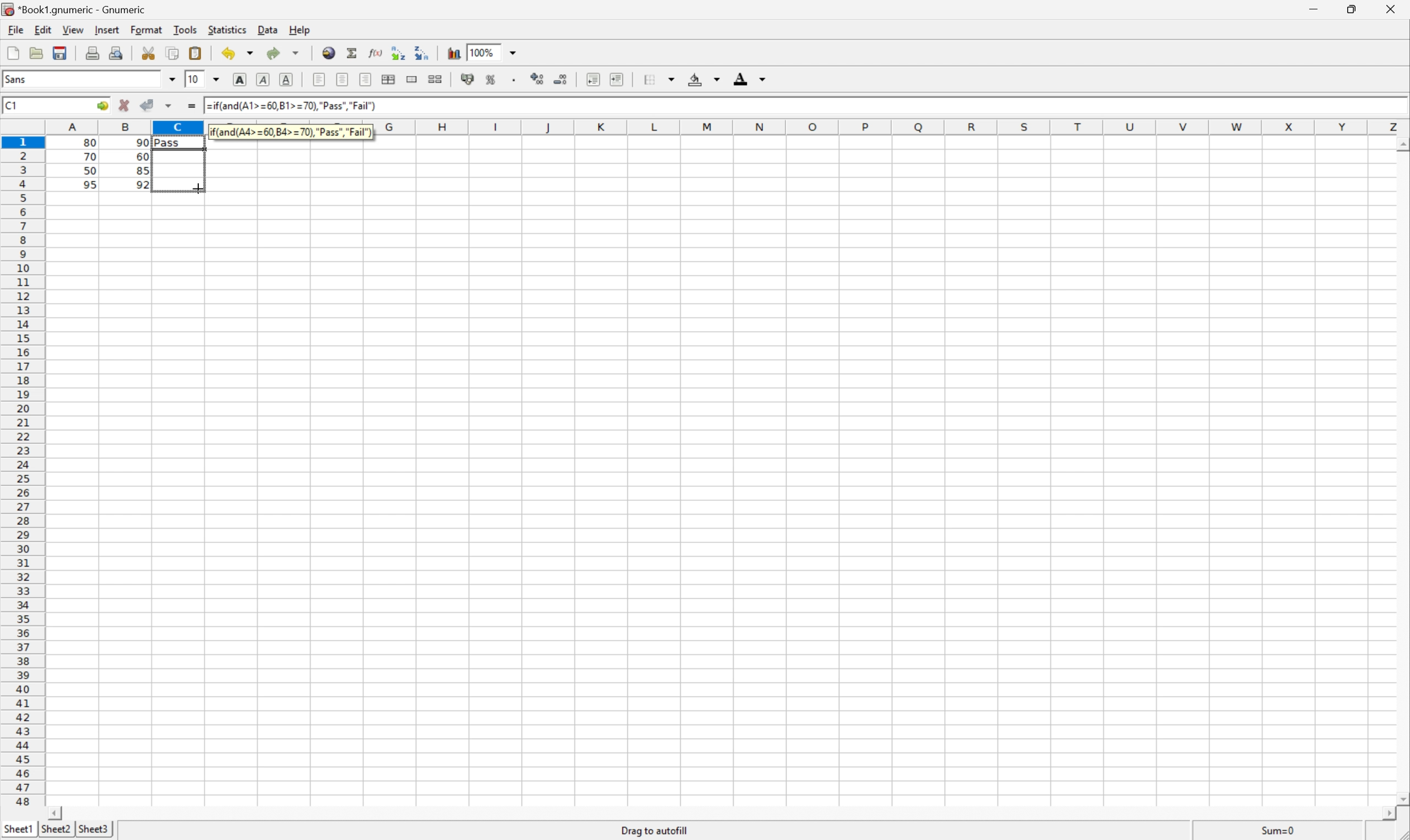 This screenshot has width=1410, height=840. I want to click on Sort the selected region in ascending order based on the first column selected, so click(397, 53).